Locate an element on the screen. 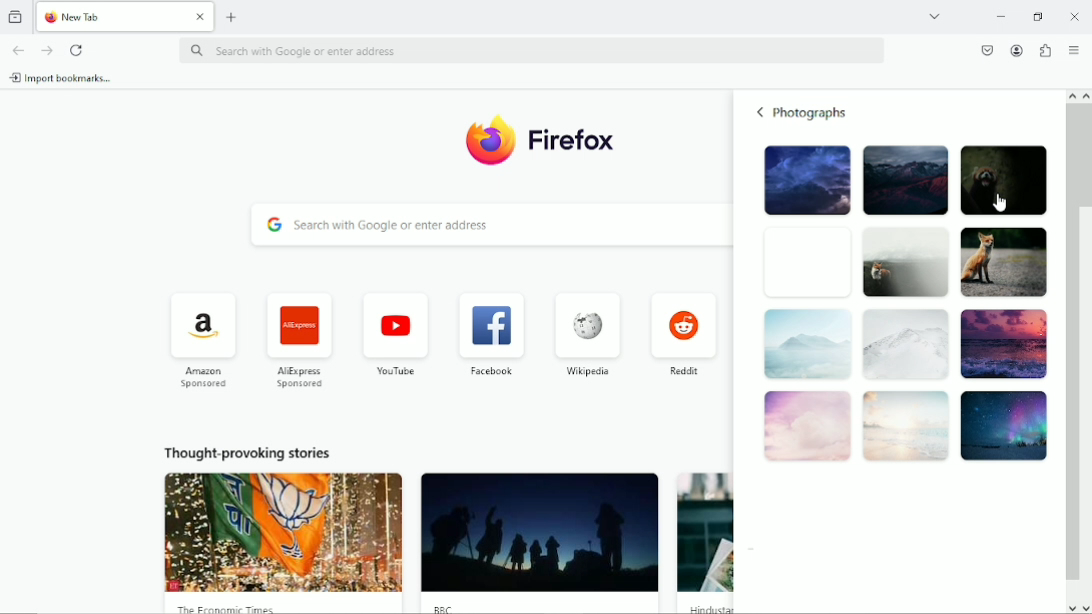  Thought provoking stories is located at coordinates (250, 454).